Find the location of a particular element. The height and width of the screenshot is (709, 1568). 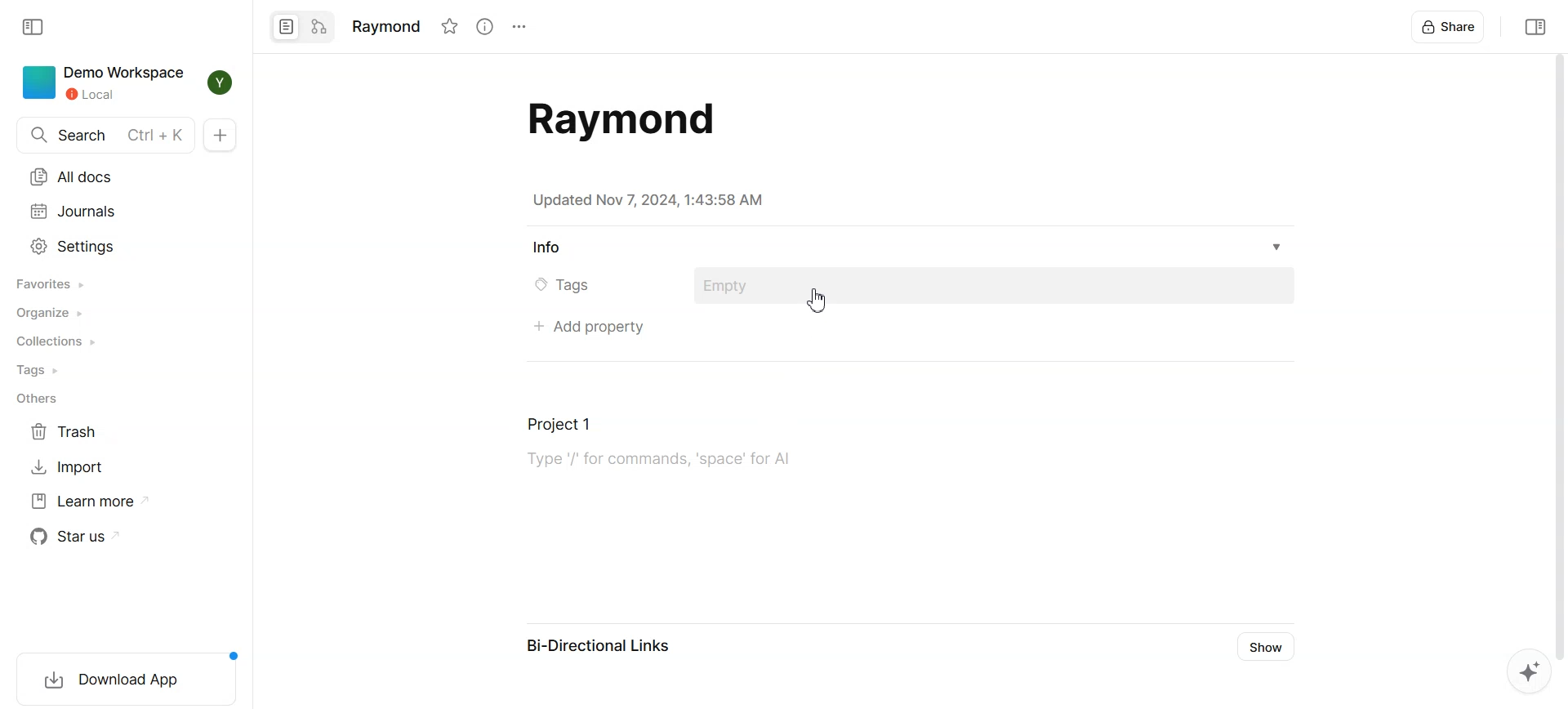

Bi-Directional Links is located at coordinates (599, 649).